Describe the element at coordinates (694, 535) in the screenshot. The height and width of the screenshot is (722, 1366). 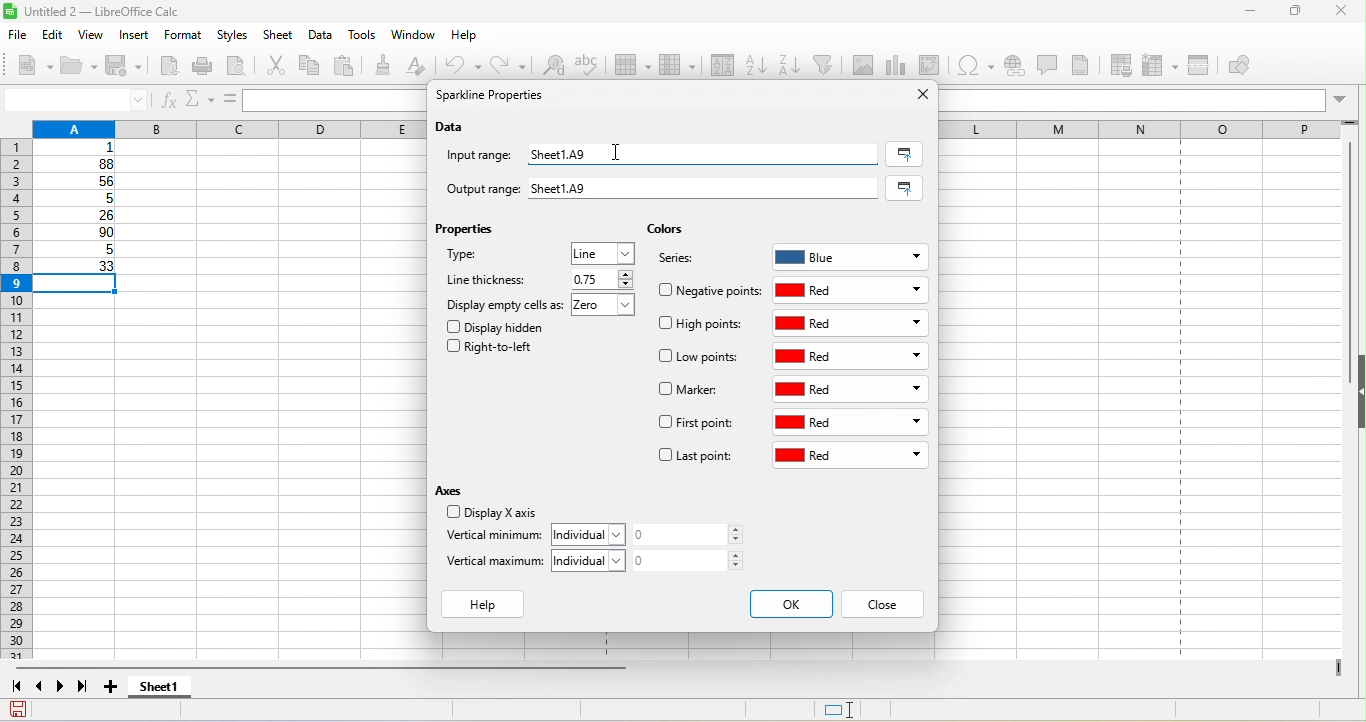
I see `0` at that location.